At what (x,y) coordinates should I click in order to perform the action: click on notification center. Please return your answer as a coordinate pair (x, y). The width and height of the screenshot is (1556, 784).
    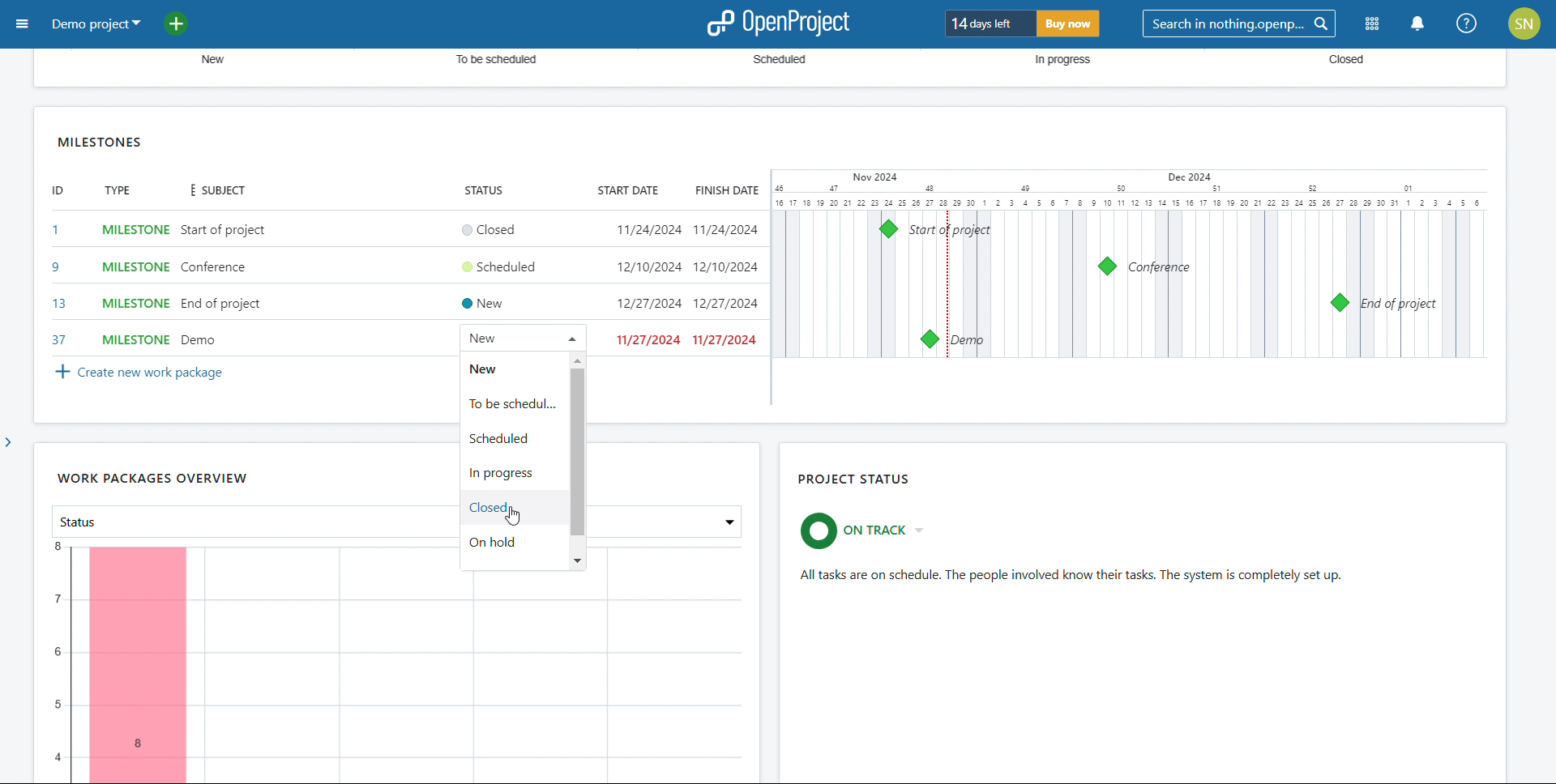
    Looking at the image, I should click on (1416, 24).